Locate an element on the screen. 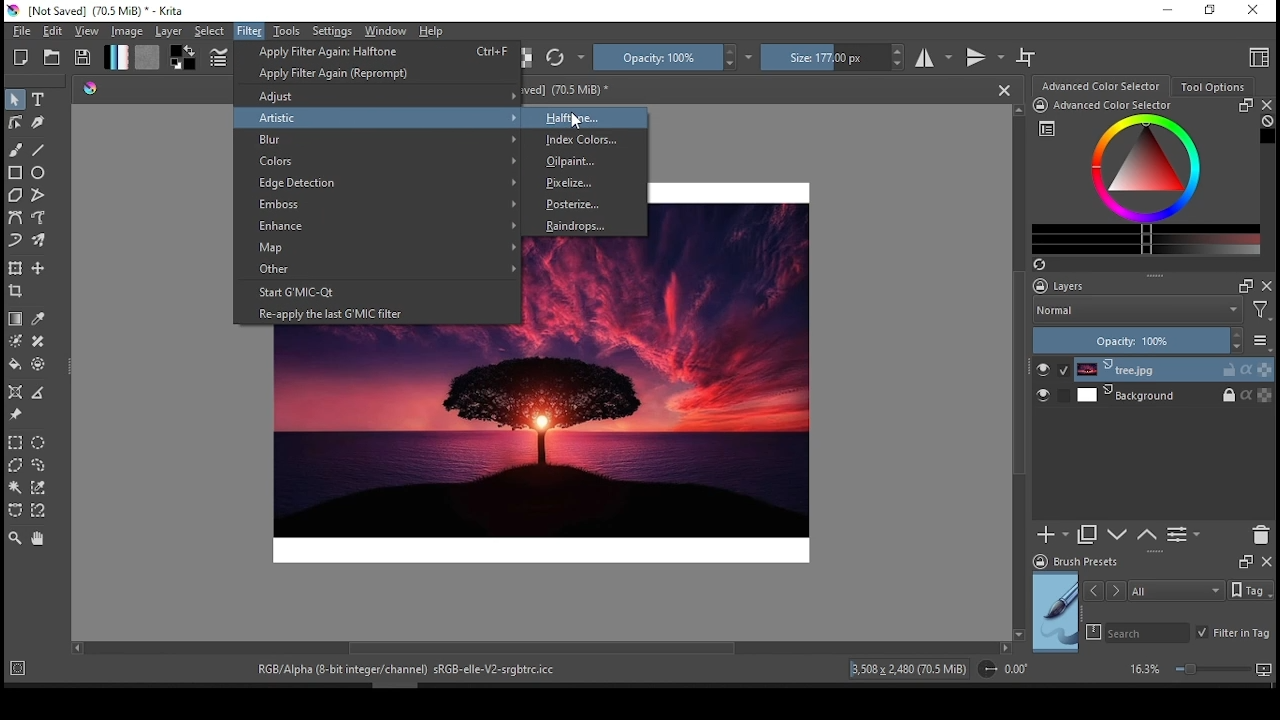  enclose and fill tool is located at coordinates (40, 365).